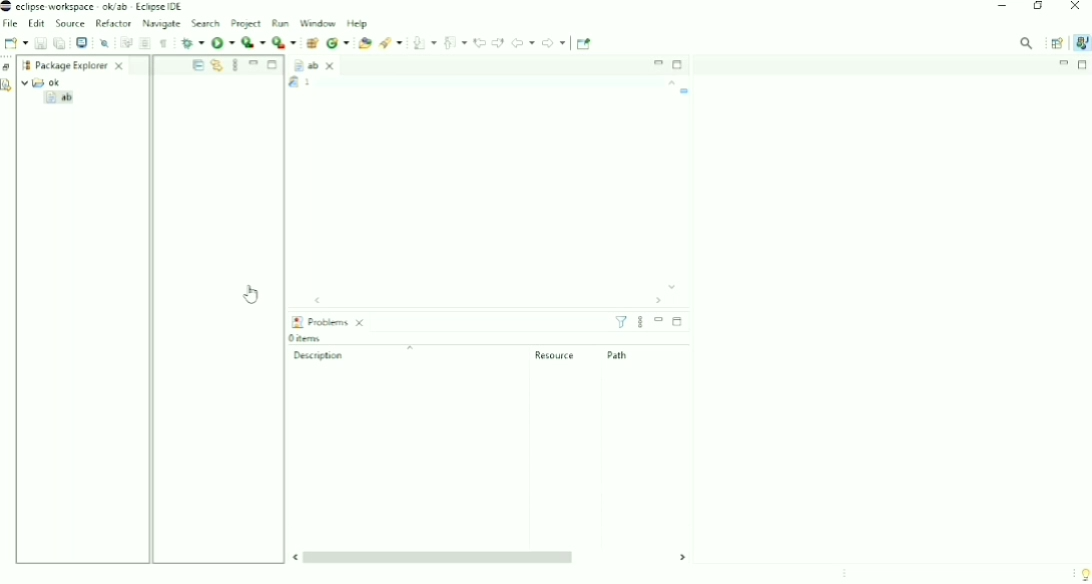 Image resolution: width=1092 pixels, height=584 pixels. Describe the element at coordinates (358, 24) in the screenshot. I see `Help` at that location.